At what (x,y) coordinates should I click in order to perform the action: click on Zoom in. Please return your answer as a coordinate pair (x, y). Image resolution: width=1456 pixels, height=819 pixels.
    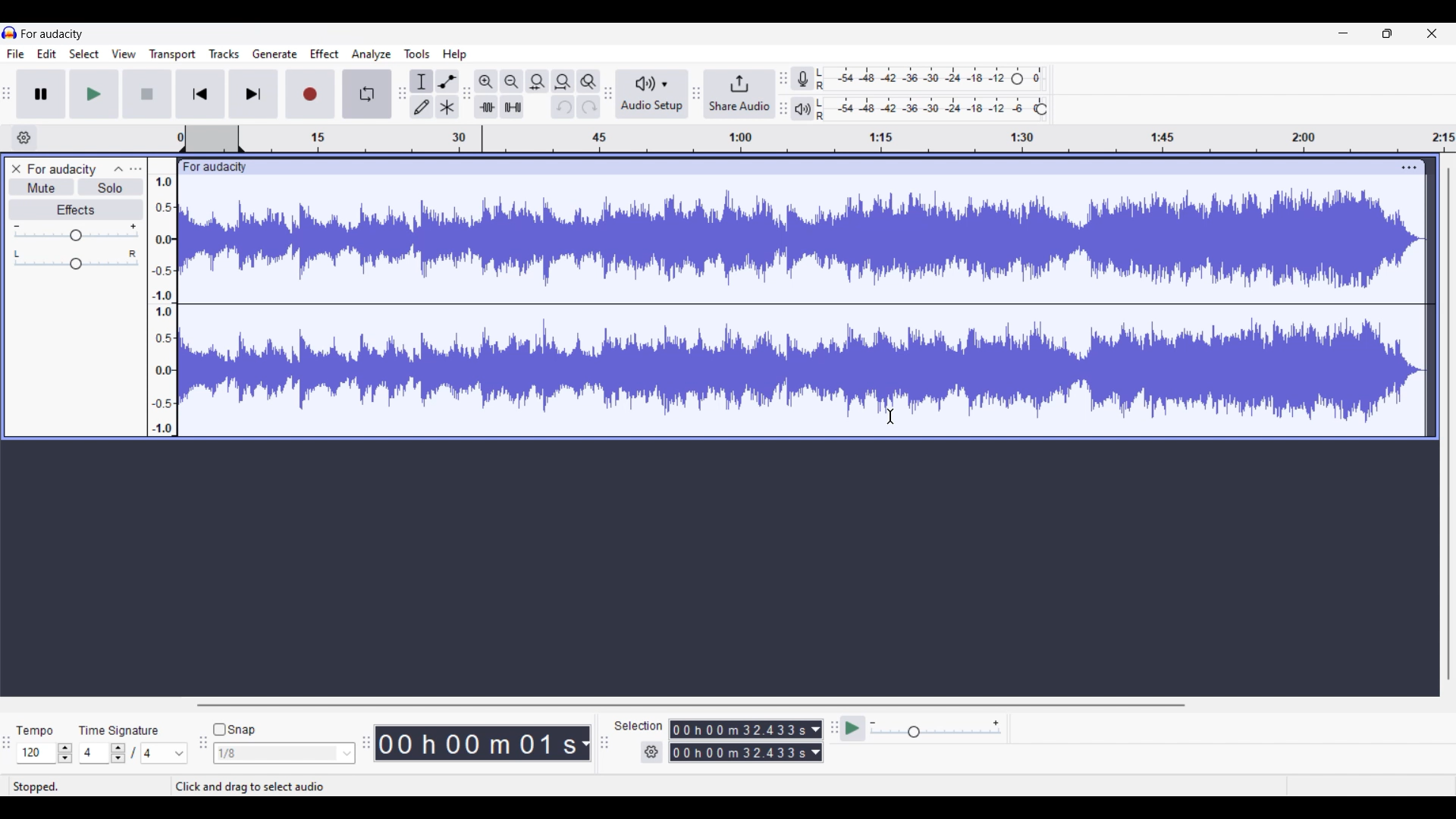
    Looking at the image, I should click on (486, 82).